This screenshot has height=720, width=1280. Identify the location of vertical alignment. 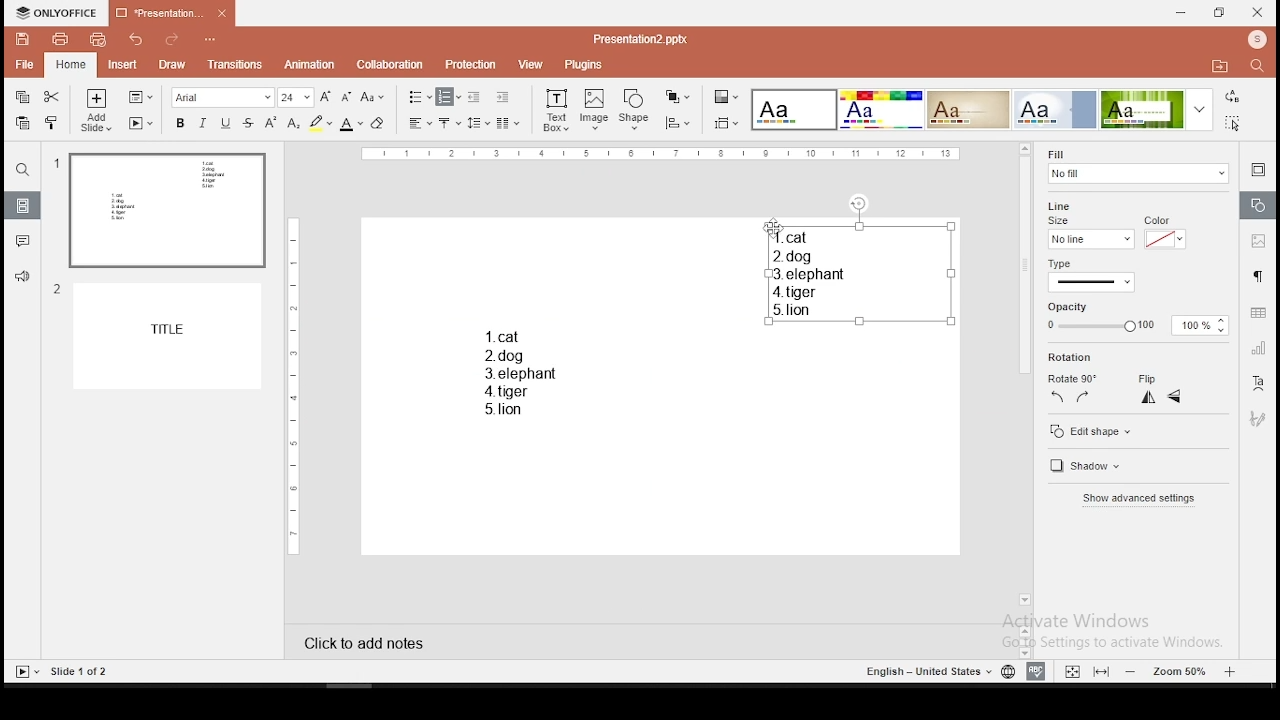
(451, 122).